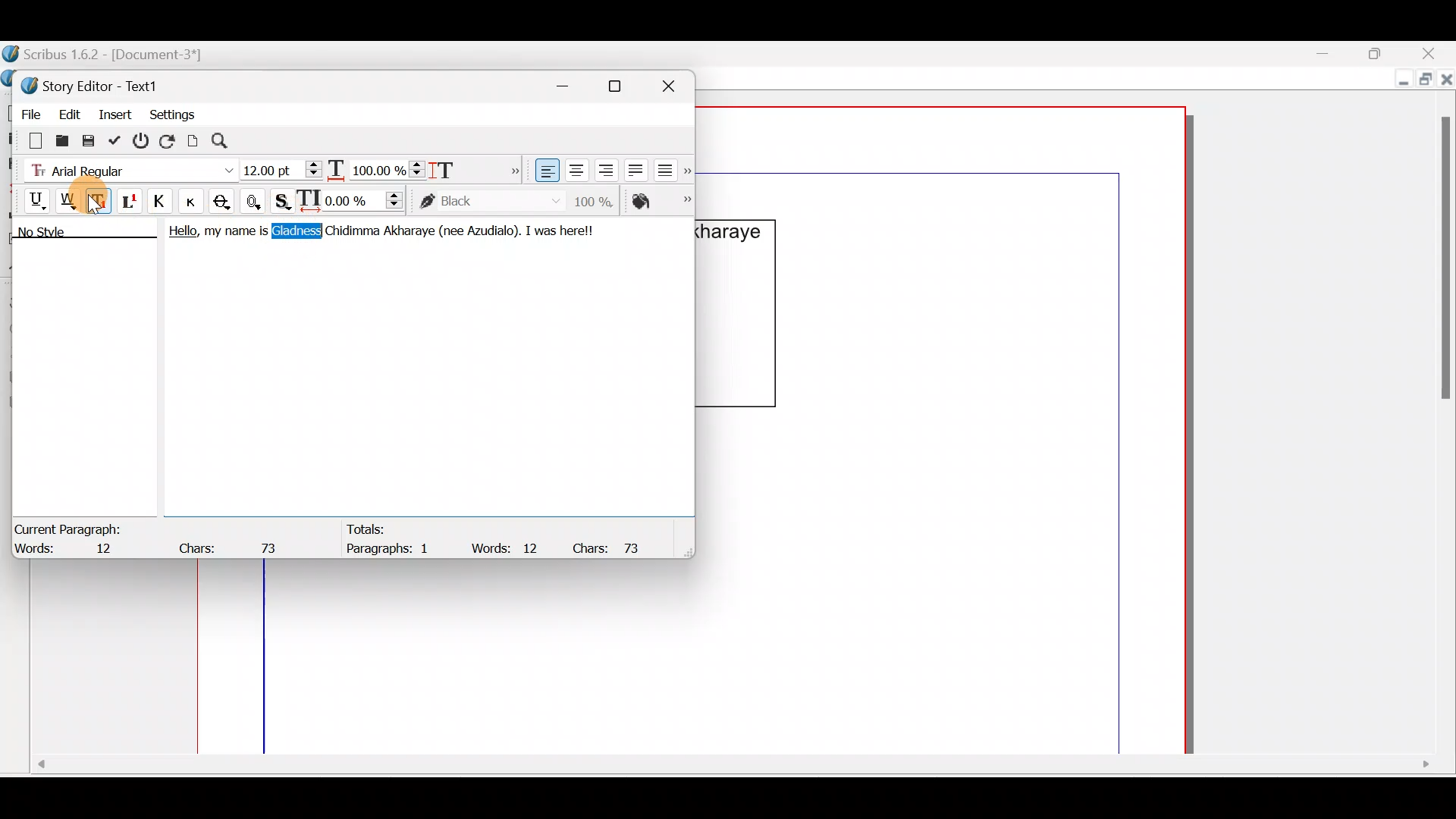 This screenshot has height=819, width=1456. What do you see at coordinates (116, 113) in the screenshot?
I see `Insert ` at bounding box center [116, 113].